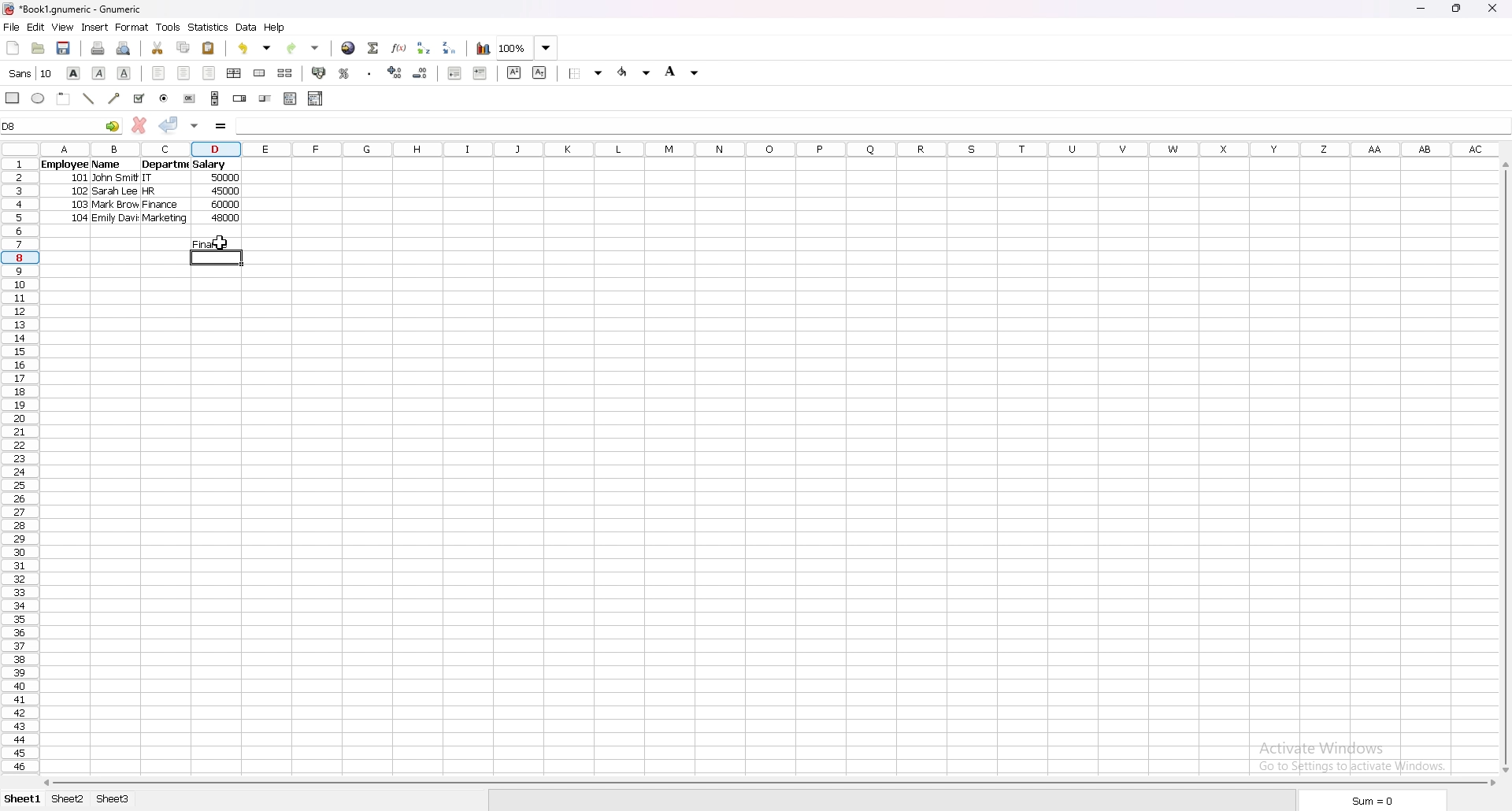  I want to click on IT, so click(154, 178).